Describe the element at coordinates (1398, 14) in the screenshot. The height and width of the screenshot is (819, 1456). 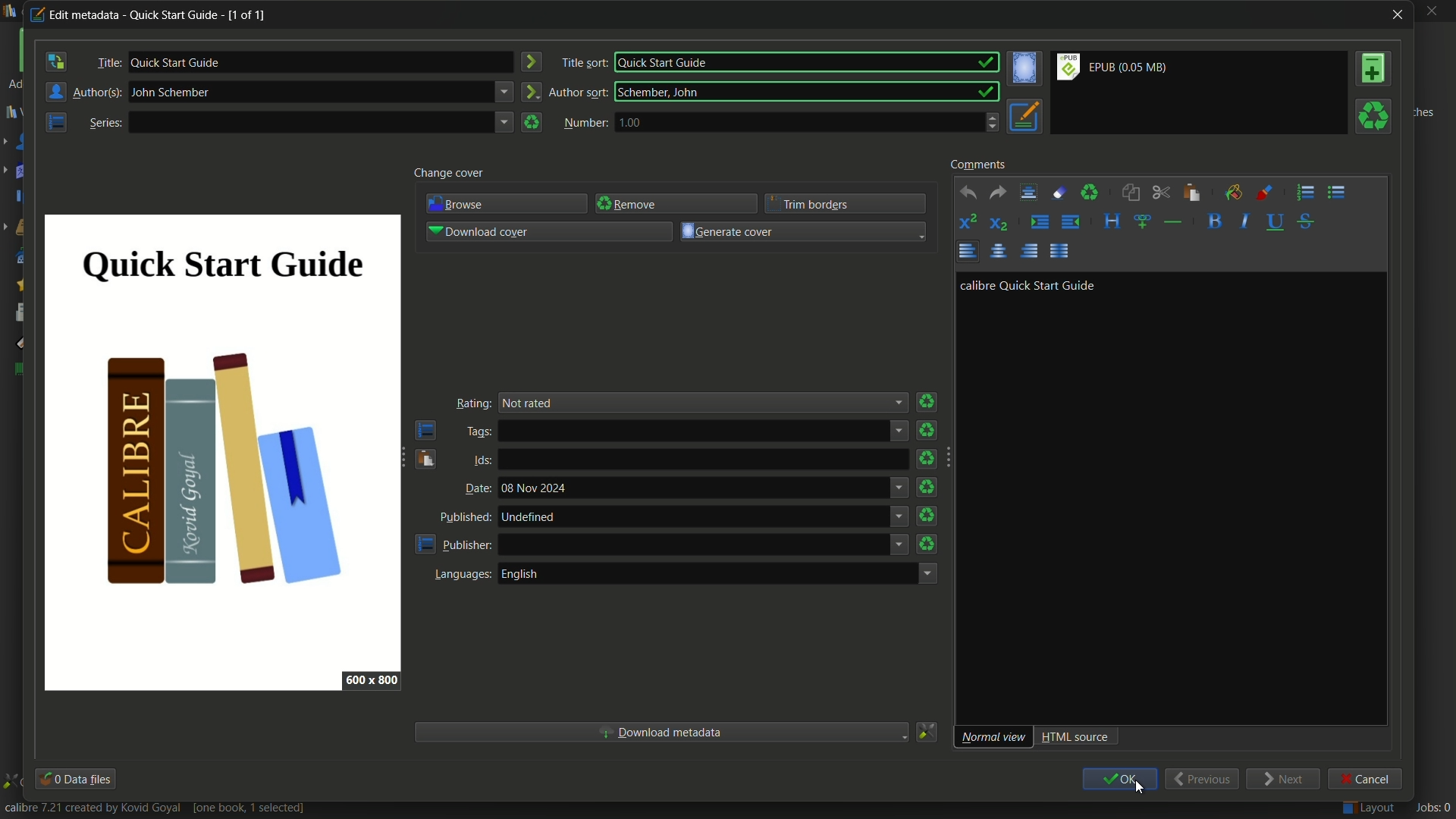
I see `close window` at that location.